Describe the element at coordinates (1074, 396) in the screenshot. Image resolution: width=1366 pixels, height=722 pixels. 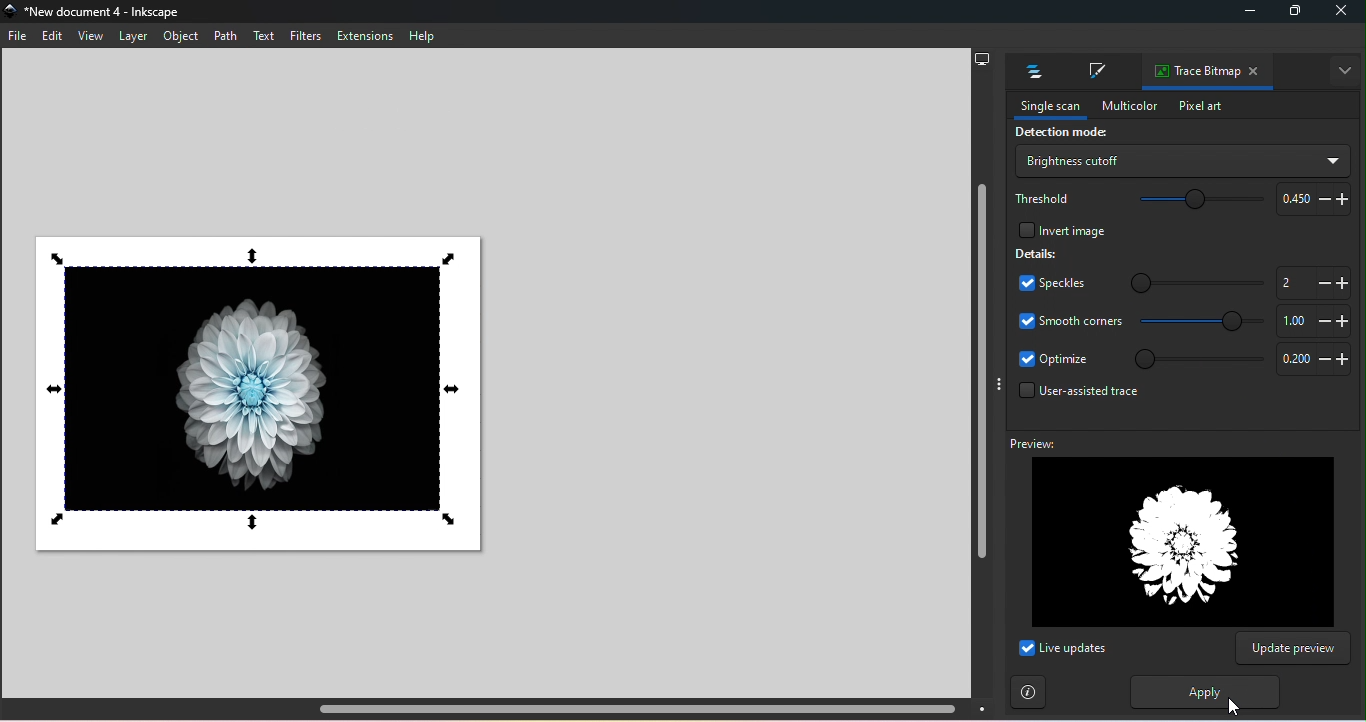
I see `User-assisted trace` at that location.